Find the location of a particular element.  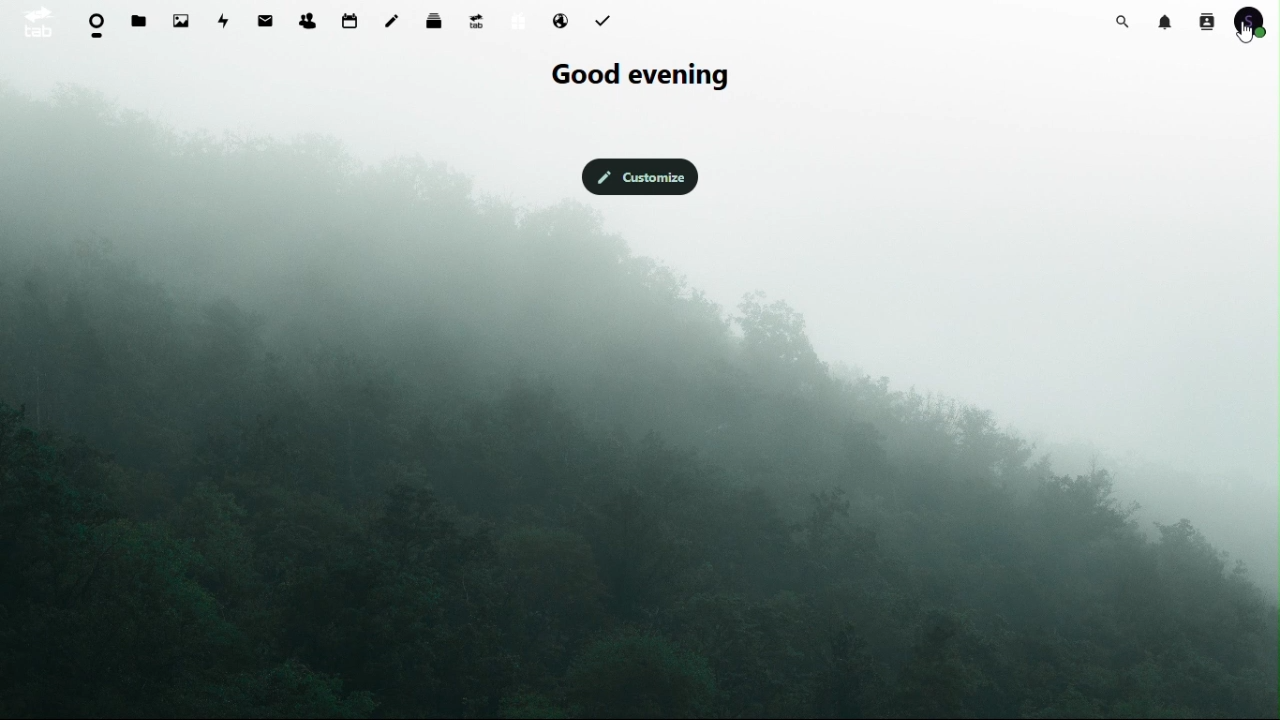

dashboard is located at coordinates (98, 25).